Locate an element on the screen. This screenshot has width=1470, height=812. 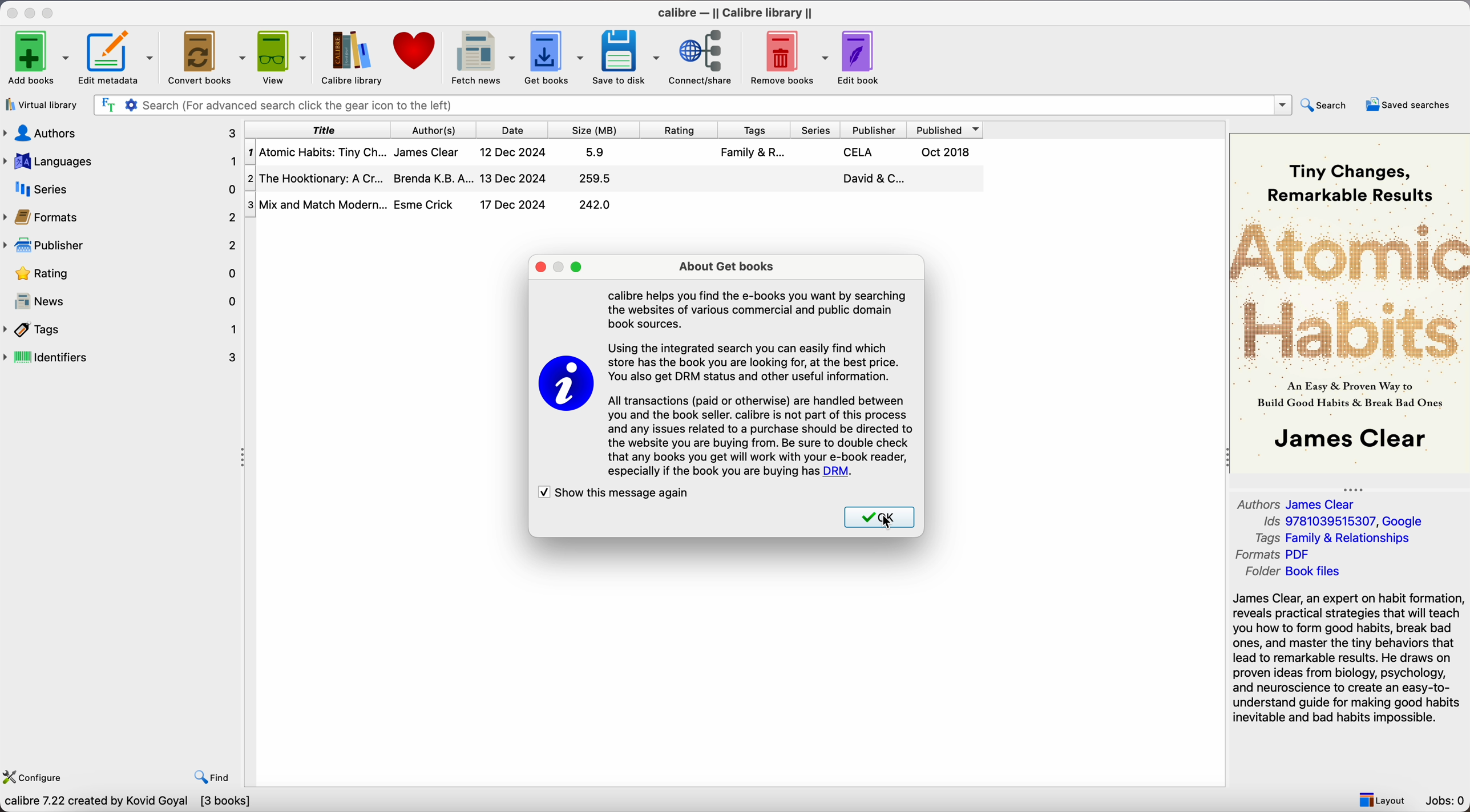
edit metadata is located at coordinates (118, 59).